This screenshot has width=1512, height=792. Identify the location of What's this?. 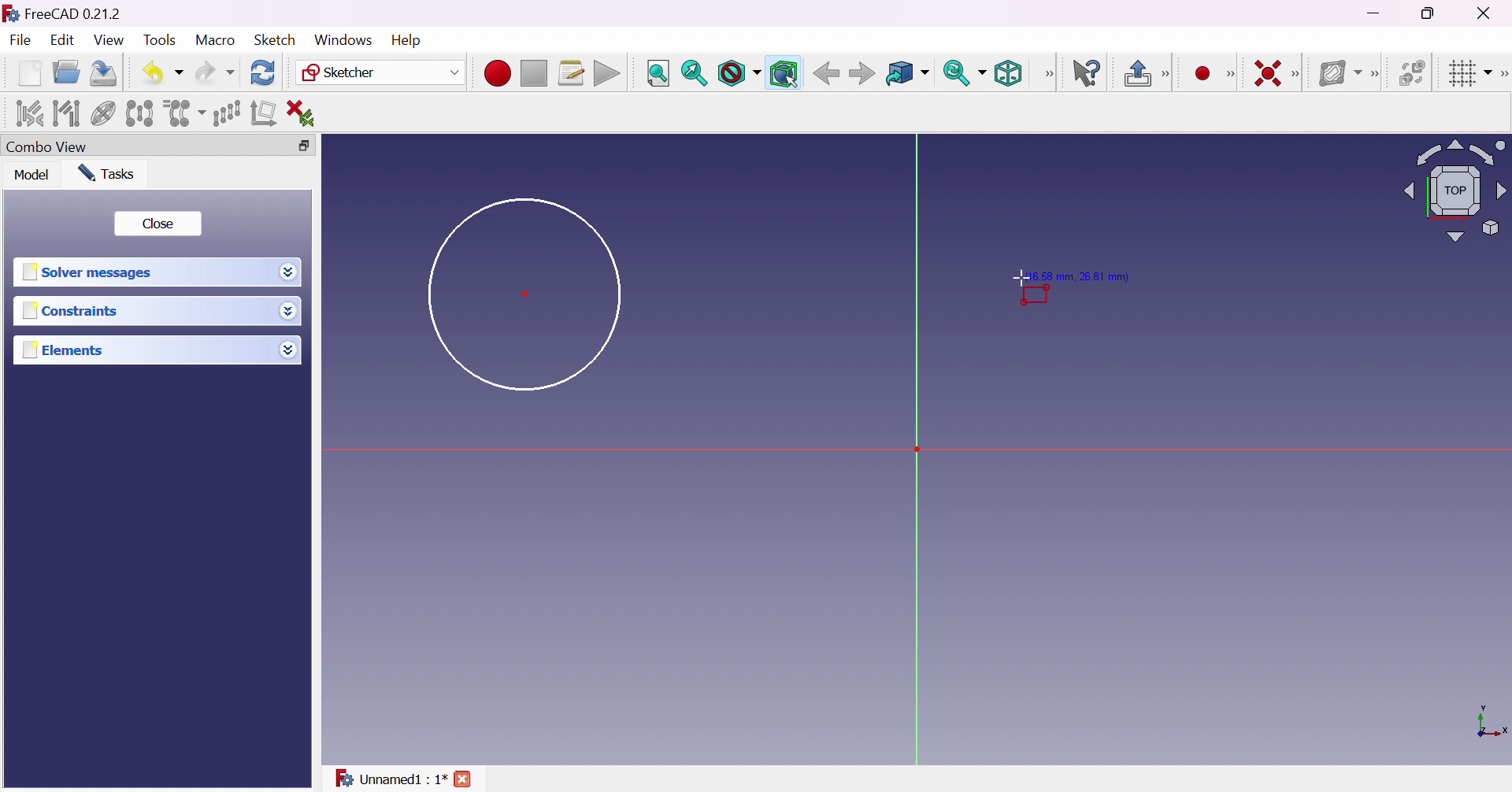
(1088, 73).